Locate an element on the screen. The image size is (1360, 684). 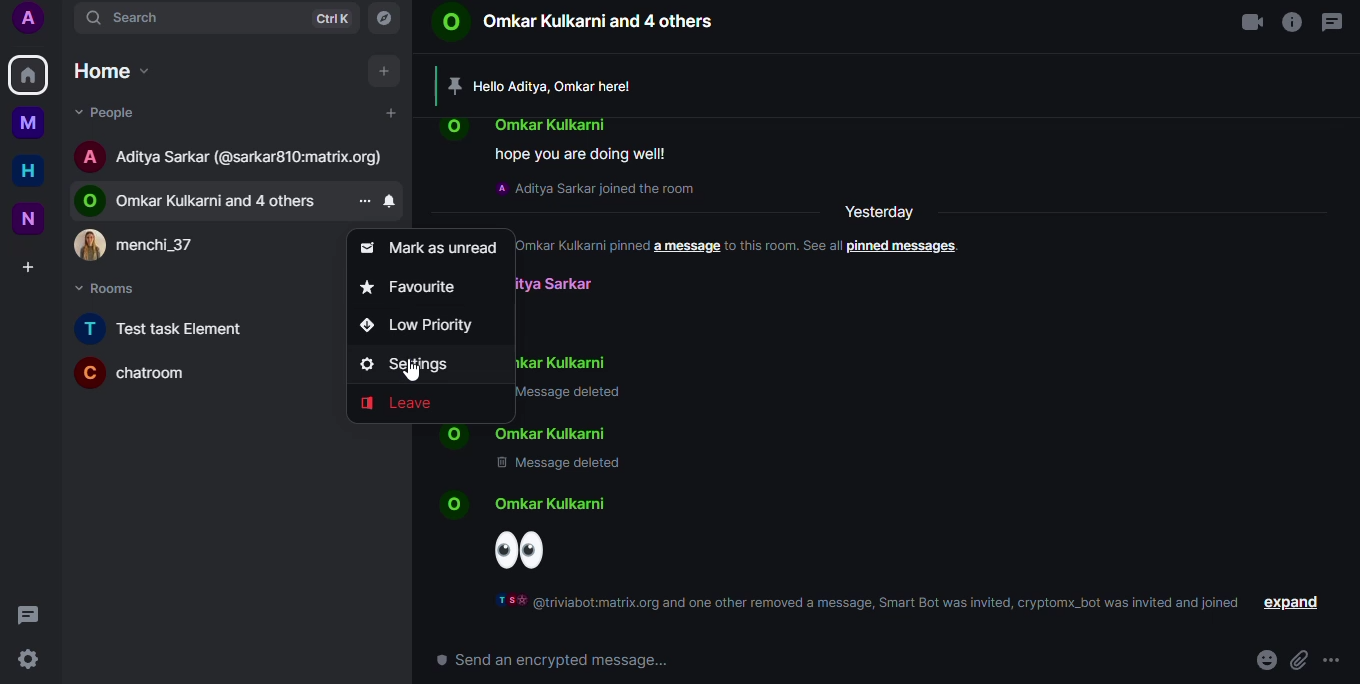
expand is located at coordinates (1287, 603).